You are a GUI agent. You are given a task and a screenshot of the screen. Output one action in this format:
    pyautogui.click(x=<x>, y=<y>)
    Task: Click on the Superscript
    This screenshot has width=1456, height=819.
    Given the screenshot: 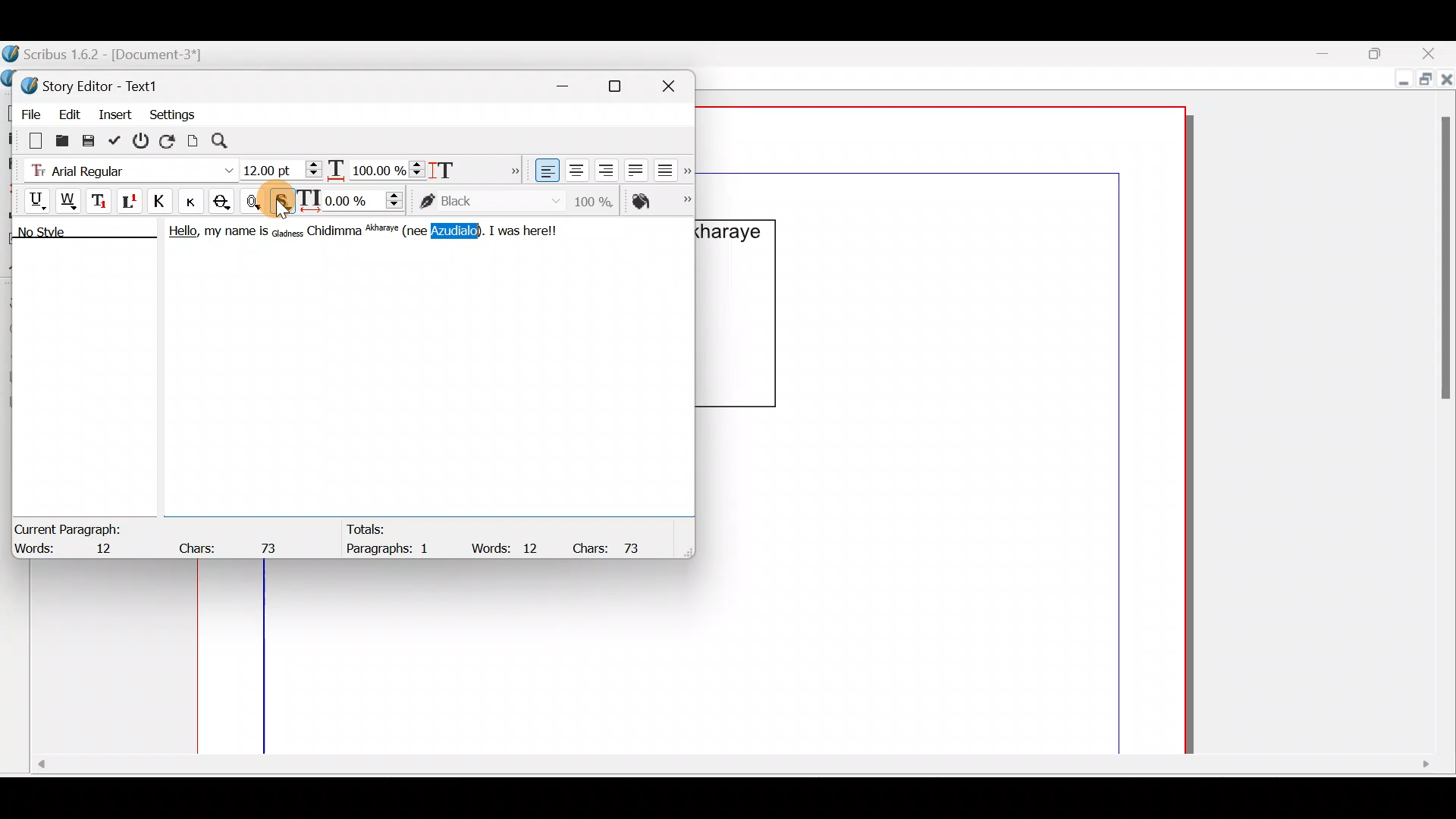 What is the action you would take?
    pyautogui.click(x=131, y=203)
    